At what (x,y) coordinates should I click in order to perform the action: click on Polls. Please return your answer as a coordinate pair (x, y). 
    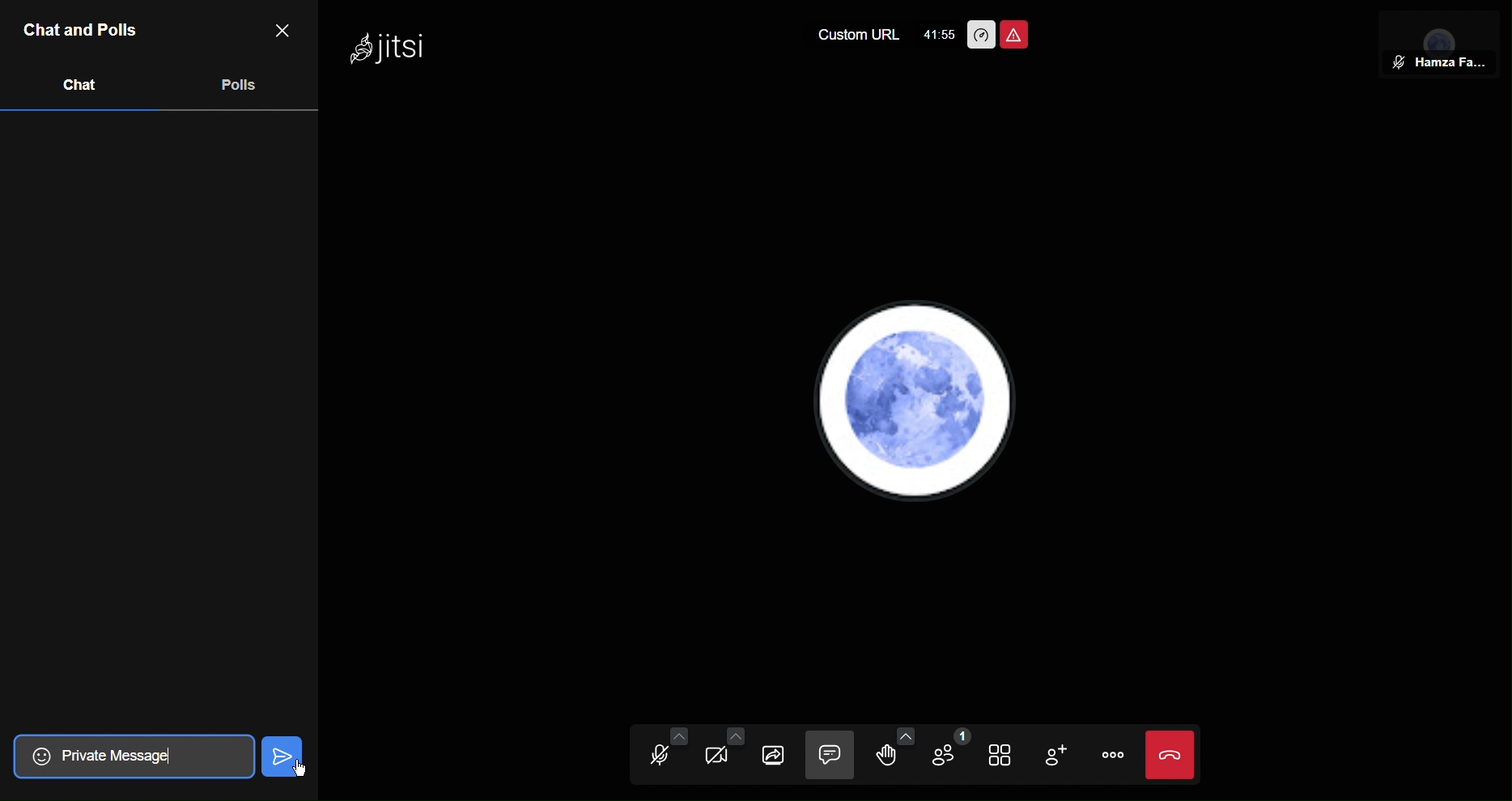
    Looking at the image, I should click on (234, 83).